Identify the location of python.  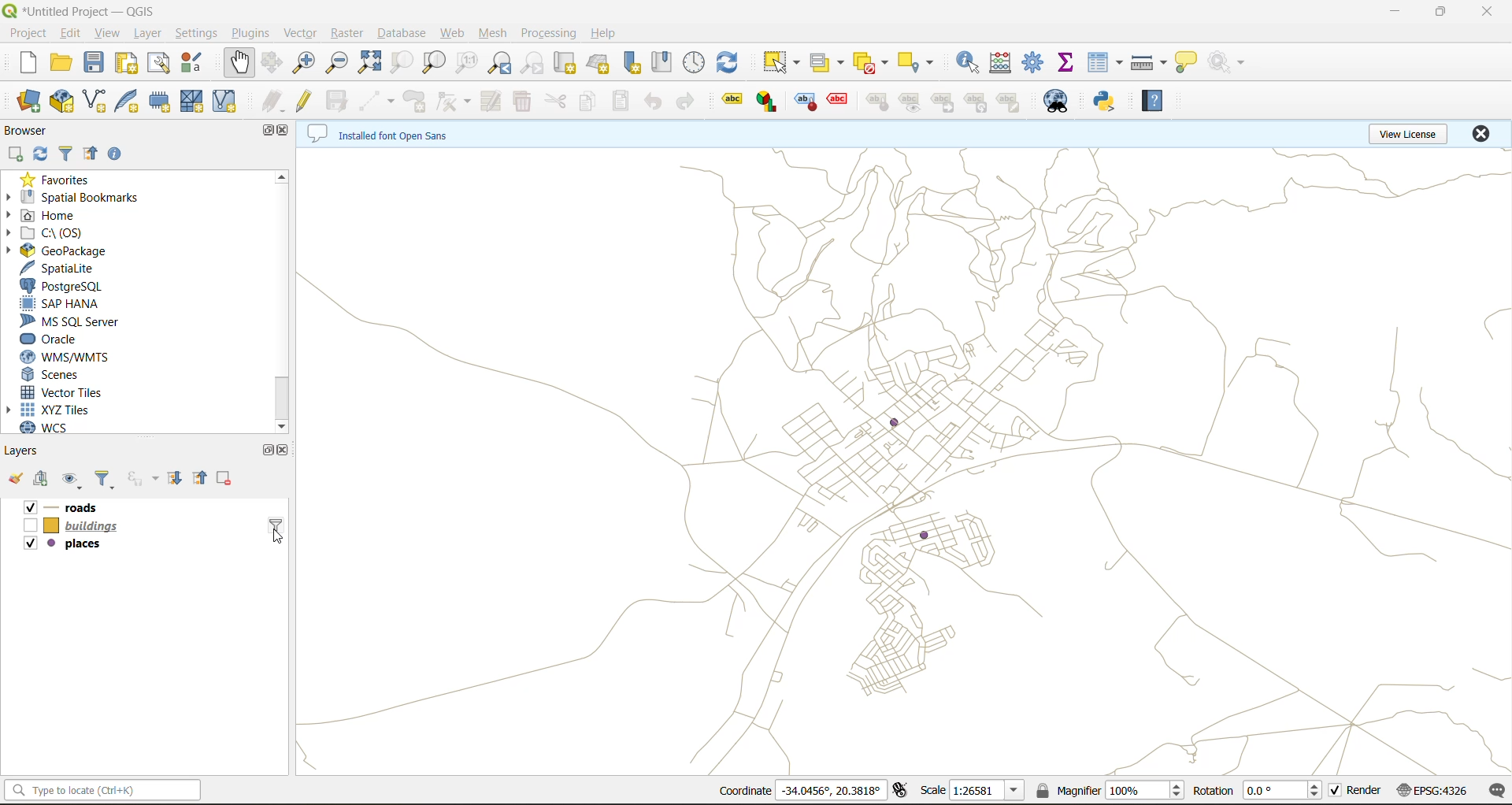
(1108, 102).